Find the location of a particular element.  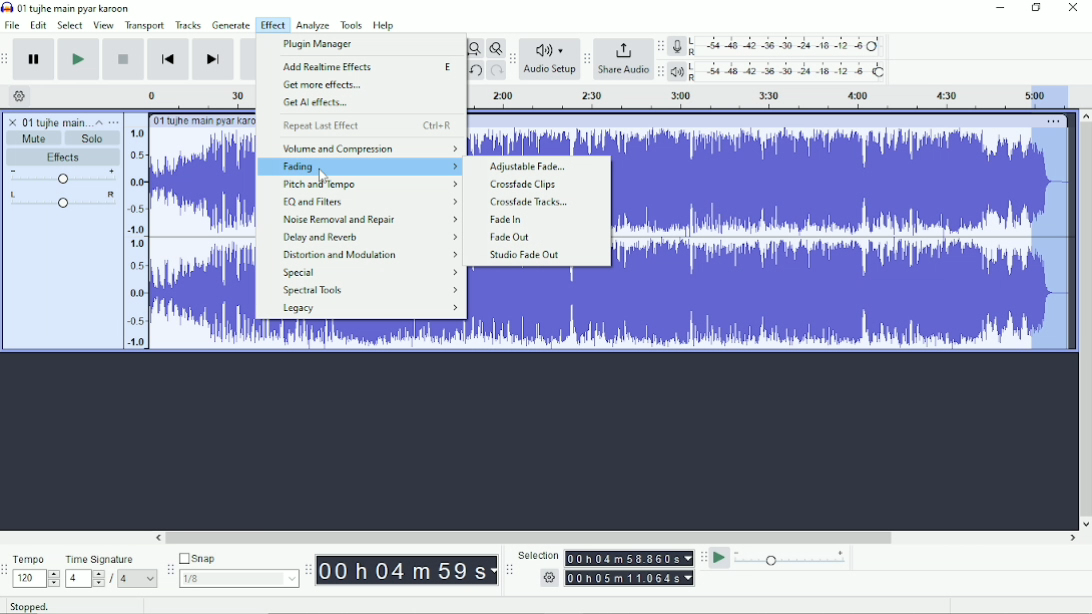

More options is located at coordinates (1054, 121).